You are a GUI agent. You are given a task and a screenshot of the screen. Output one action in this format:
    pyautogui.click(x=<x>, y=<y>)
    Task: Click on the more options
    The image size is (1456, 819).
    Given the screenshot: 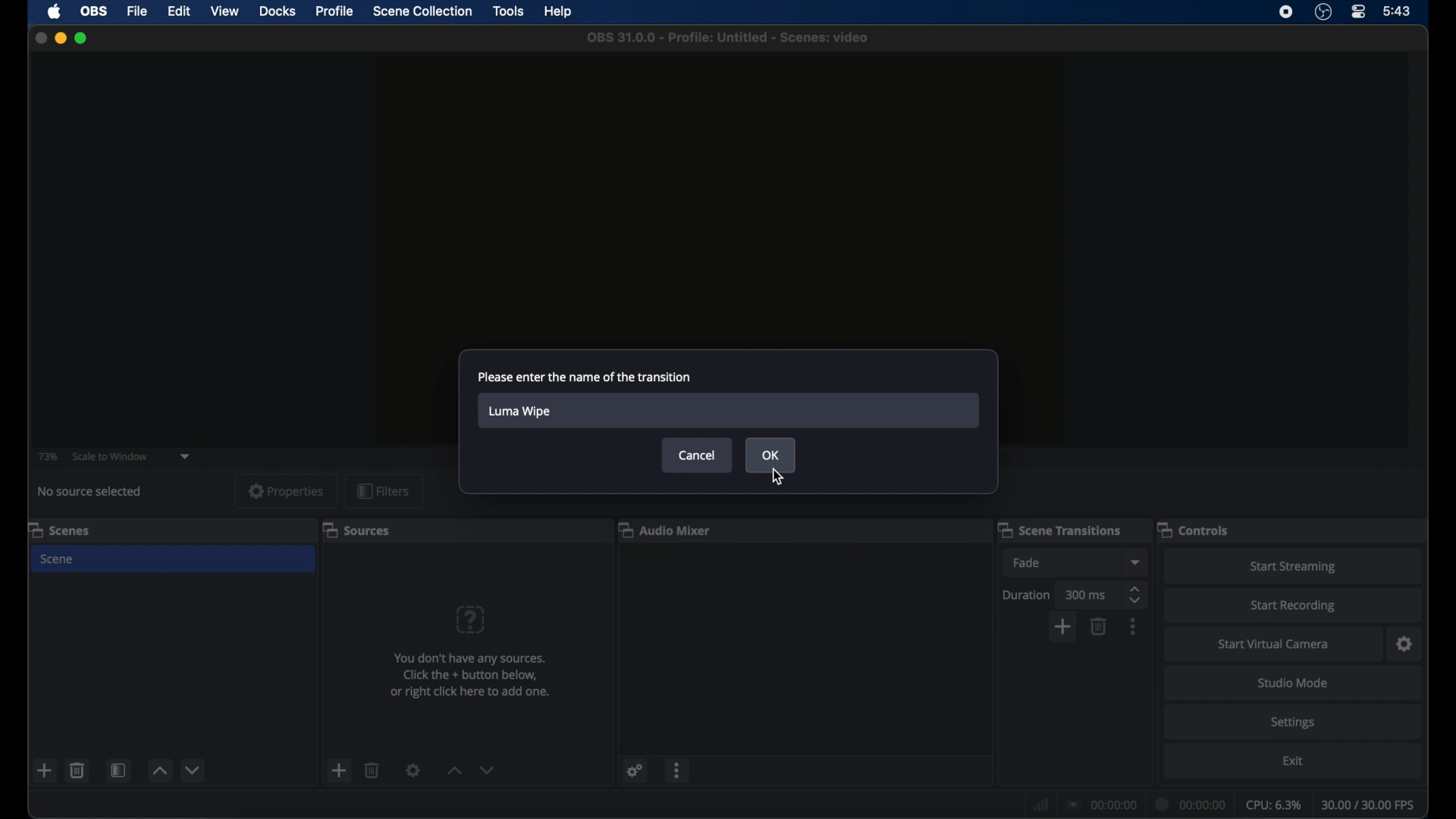 What is the action you would take?
    pyautogui.click(x=1133, y=626)
    